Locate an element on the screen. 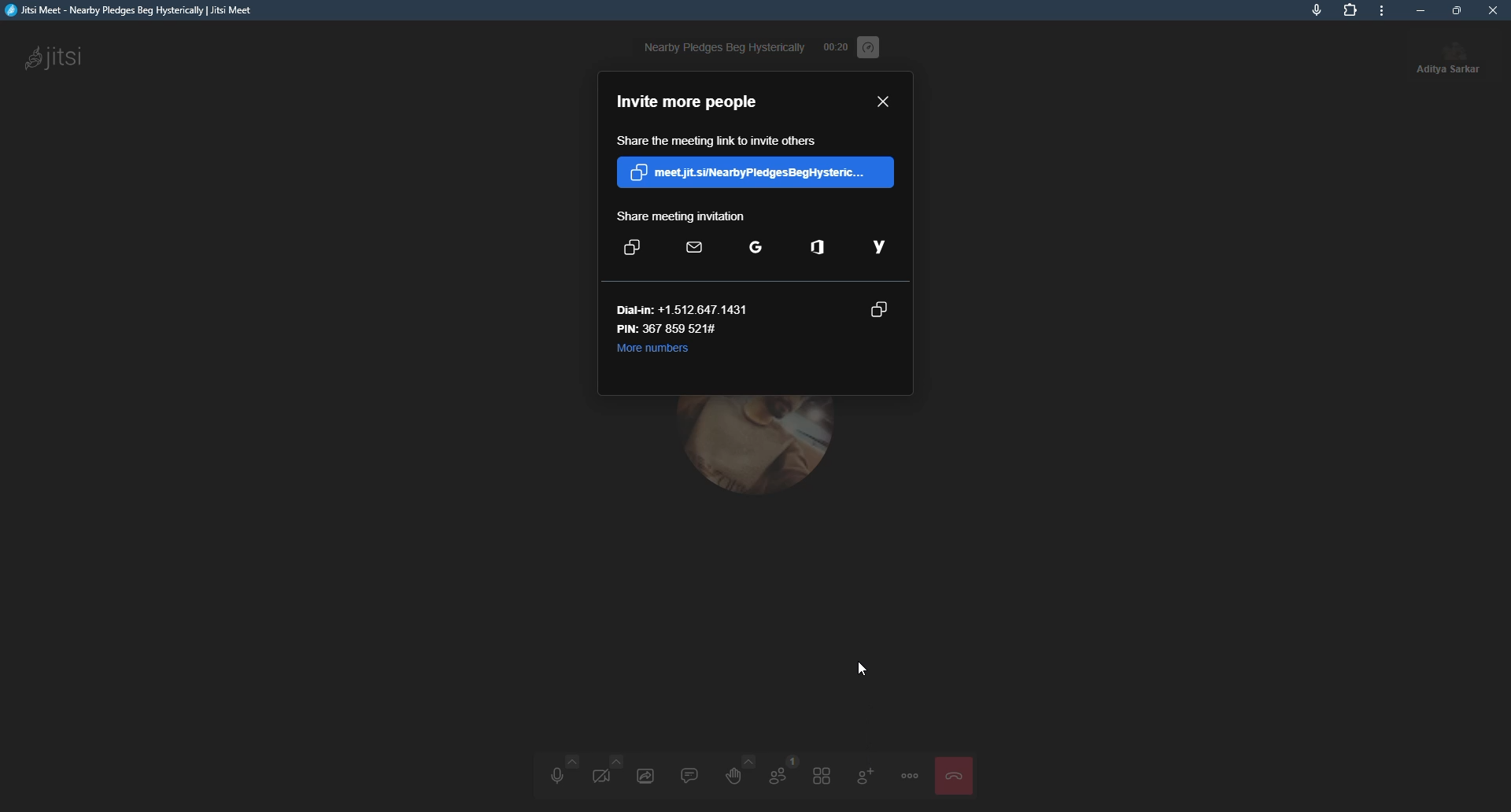 Image resolution: width=1511 pixels, height=812 pixels. cursor is located at coordinates (856, 667).